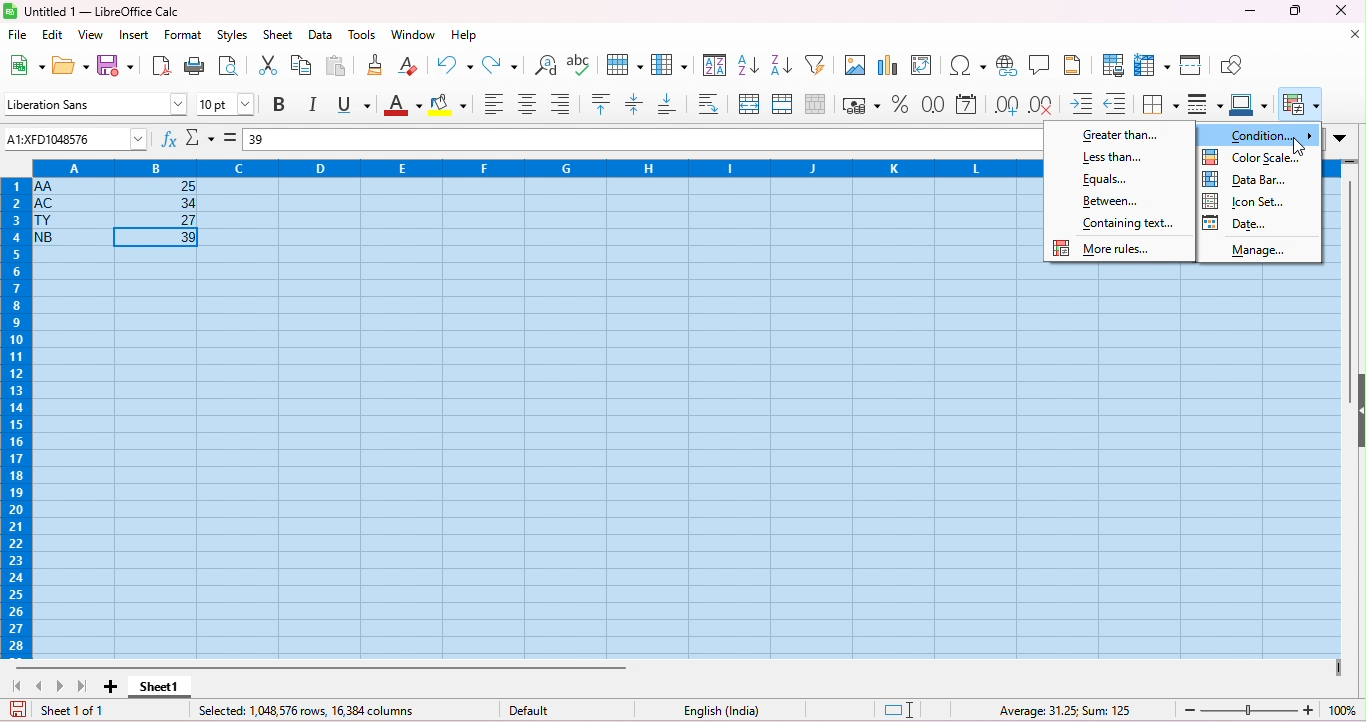 This screenshot has height=722, width=1366. Describe the element at coordinates (414, 35) in the screenshot. I see `window` at that location.